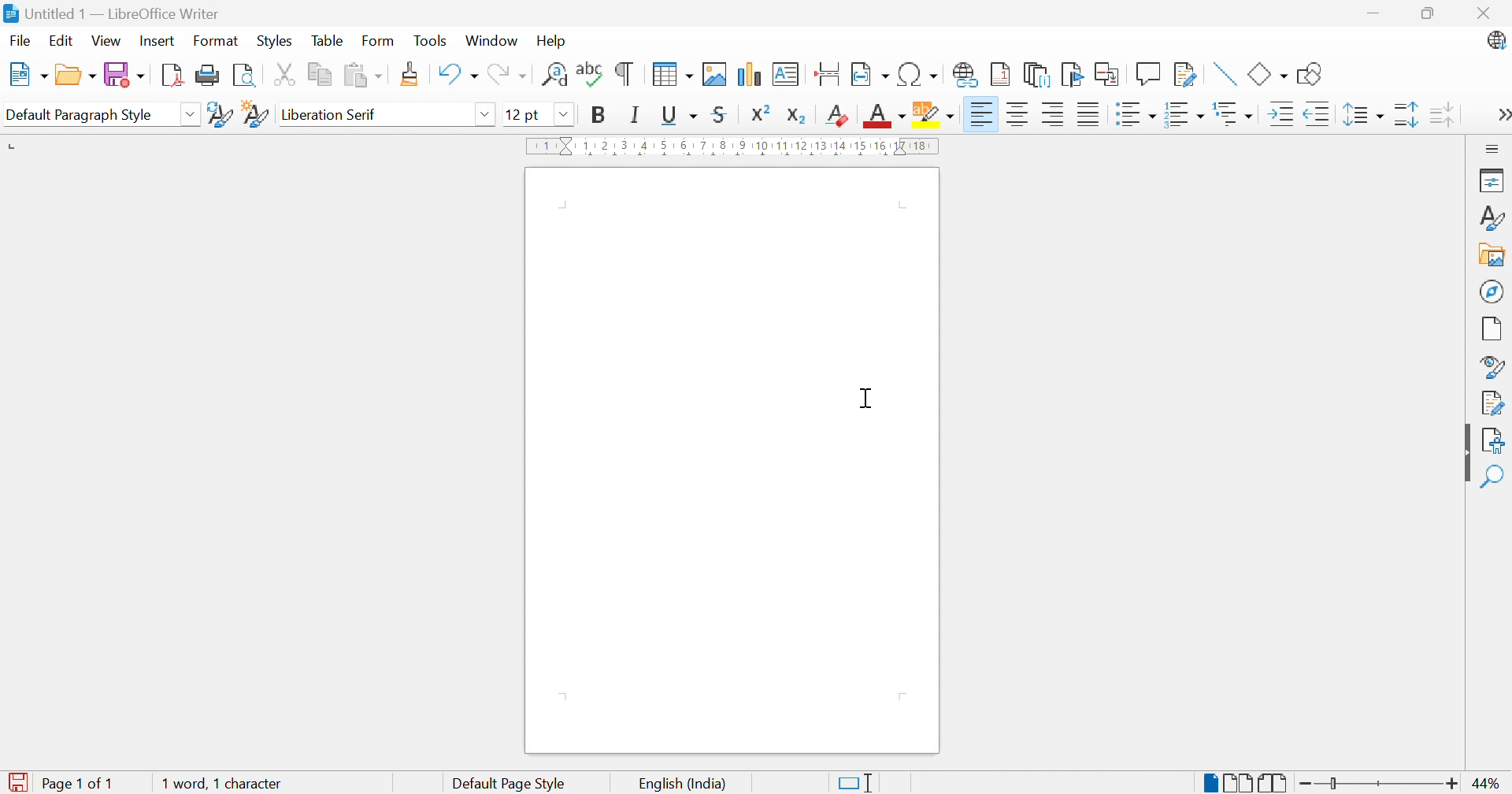 This screenshot has height=794, width=1512. Describe the element at coordinates (1136, 114) in the screenshot. I see `Toggle unordered list` at that location.